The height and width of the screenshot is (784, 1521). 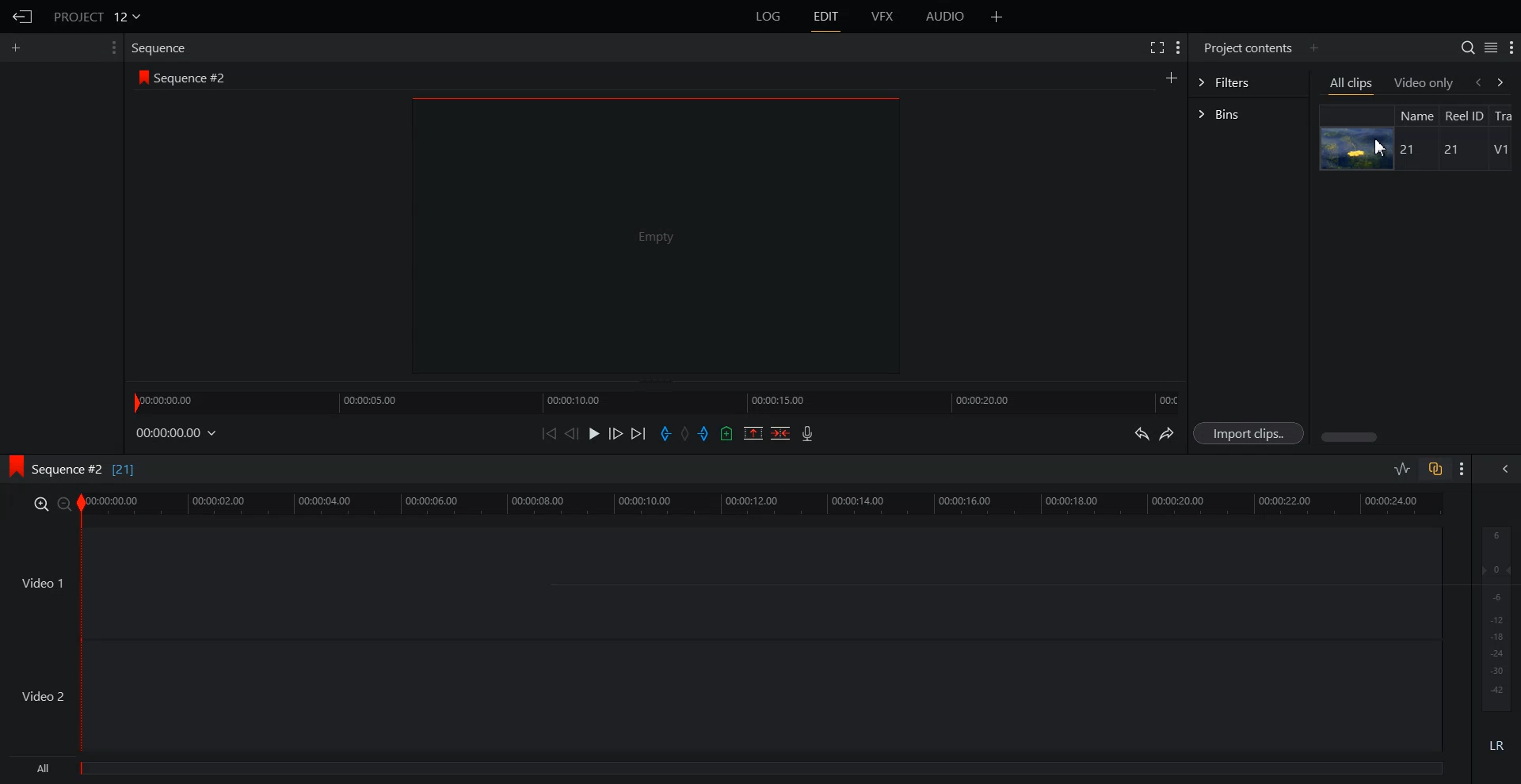 I want to click on Reel ID, so click(x=1464, y=116).